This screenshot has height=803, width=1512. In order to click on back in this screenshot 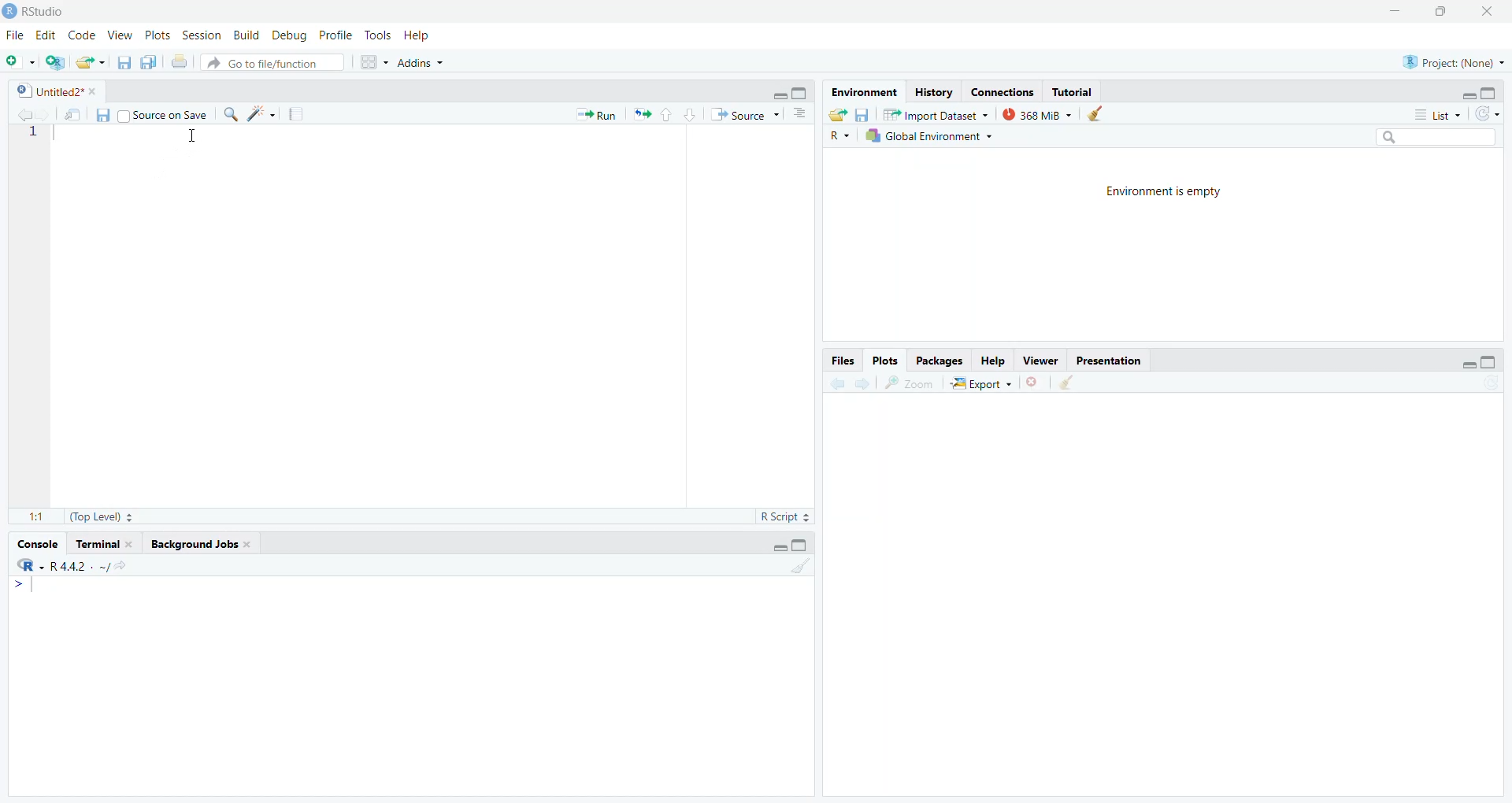, I will do `click(836, 383)`.